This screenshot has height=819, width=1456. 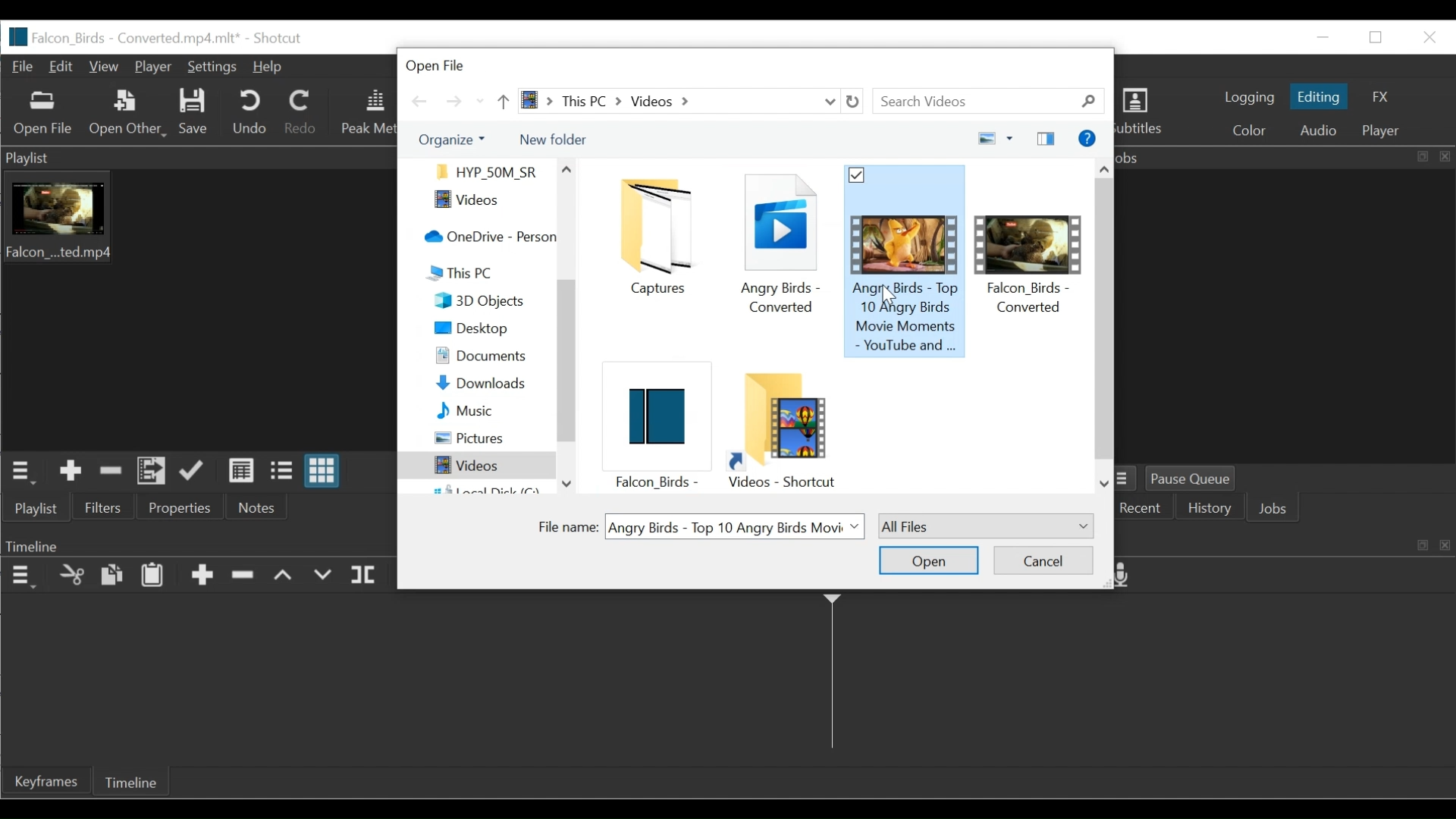 What do you see at coordinates (1105, 166) in the screenshot?
I see `Scroll up` at bounding box center [1105, 166].